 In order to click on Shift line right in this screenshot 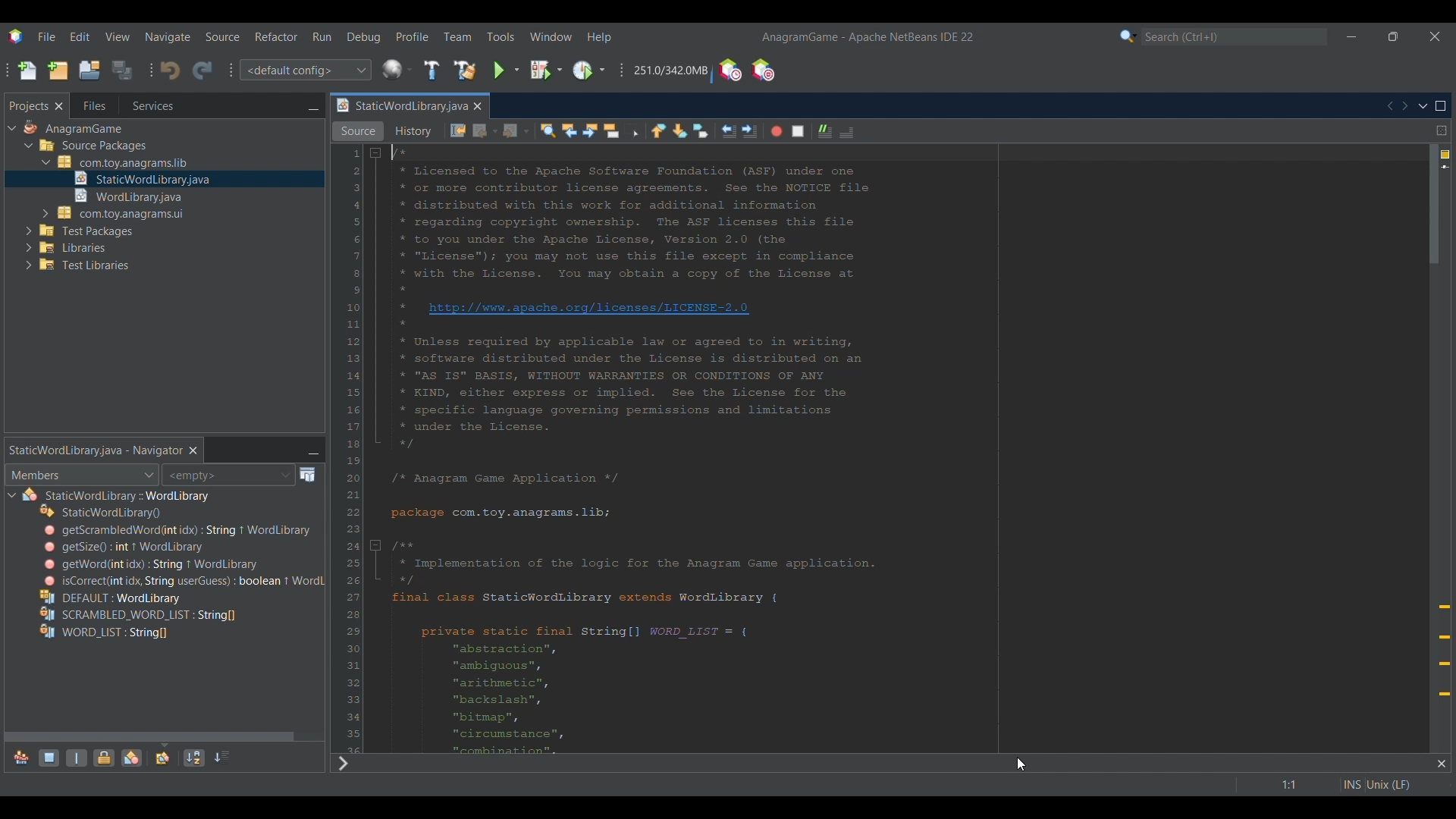, I will do `click(750, 131)`.